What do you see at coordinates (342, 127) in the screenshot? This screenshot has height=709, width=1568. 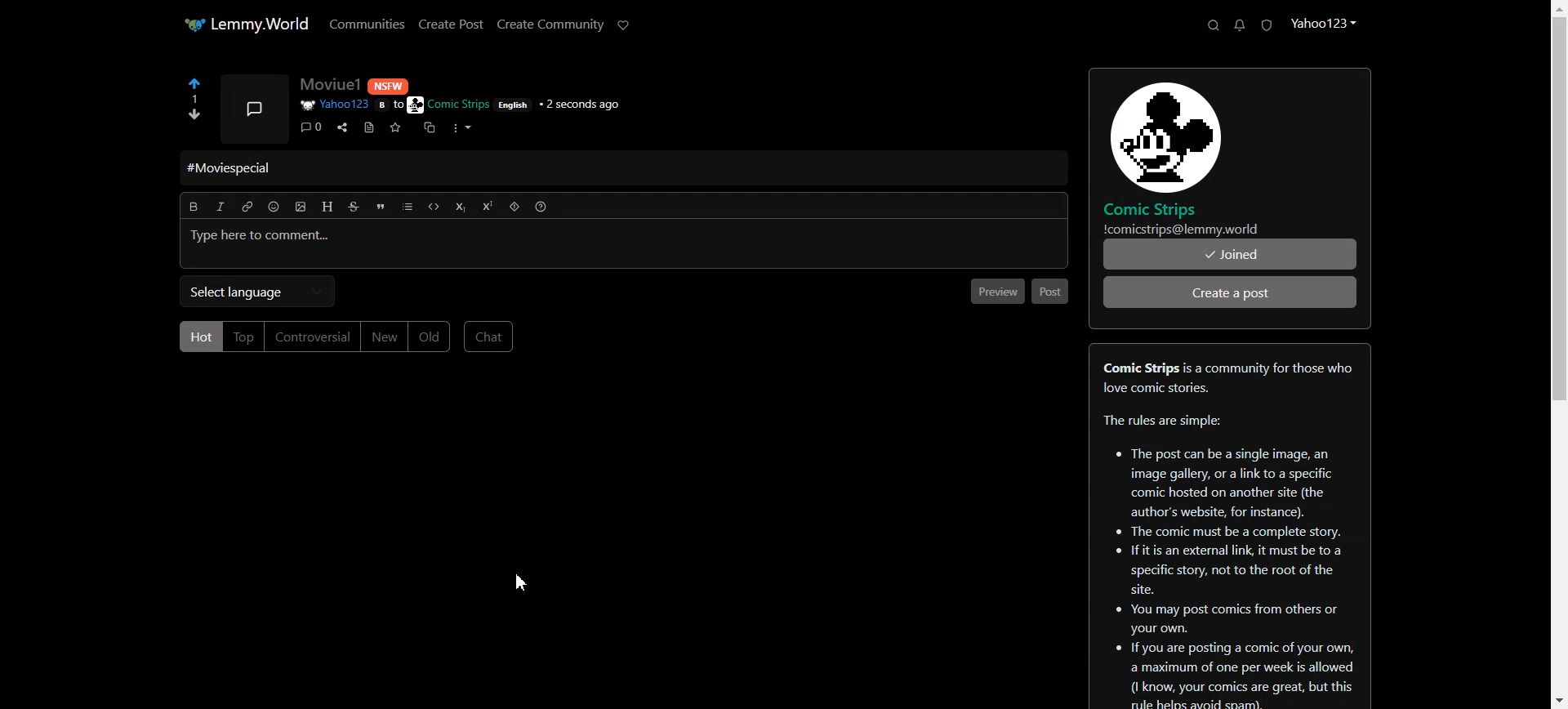 I see `Share` at bounding box center [342, 127].